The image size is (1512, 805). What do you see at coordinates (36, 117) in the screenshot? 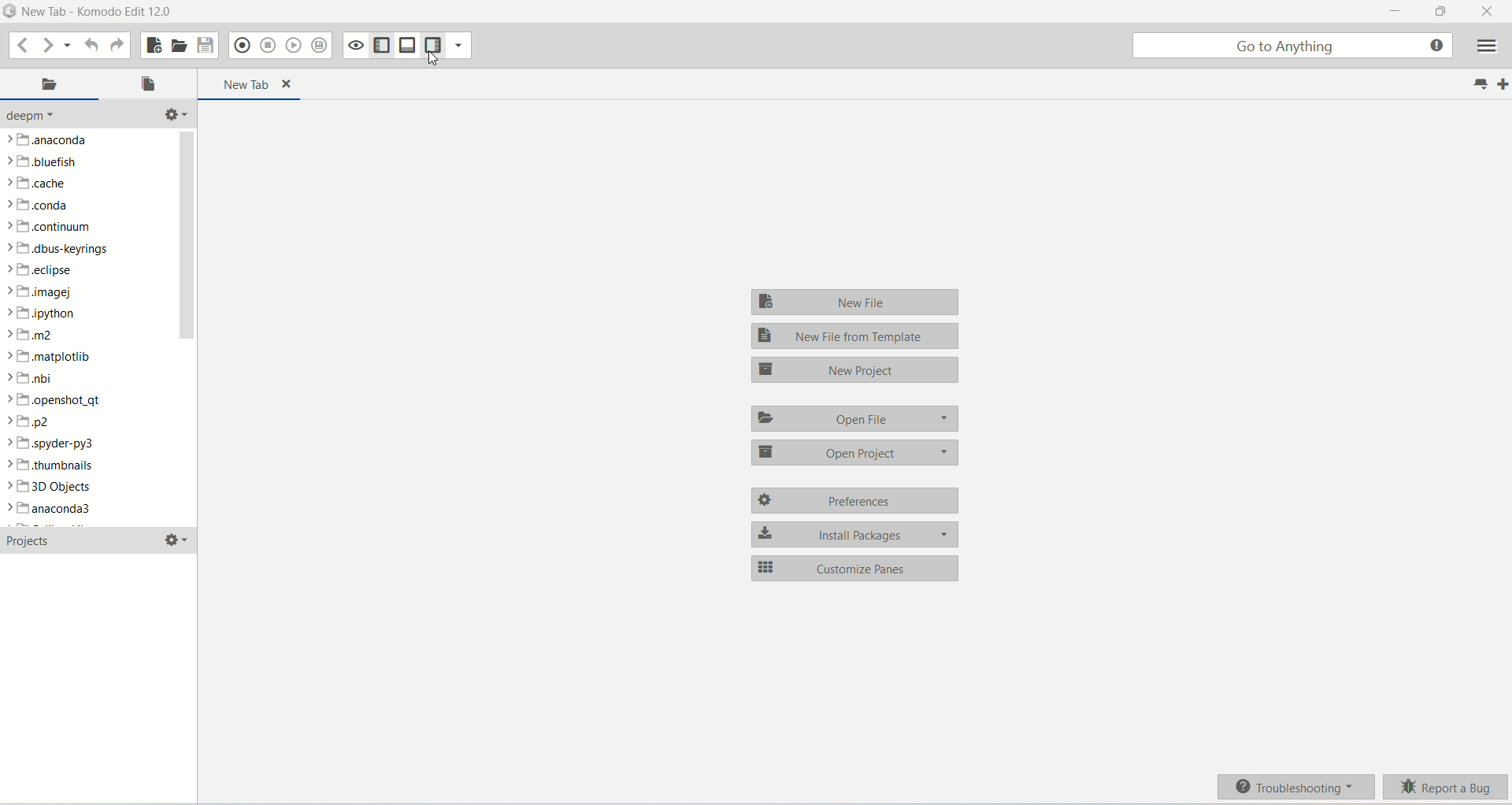
I see `deepm` at bounding box center [36, 117].